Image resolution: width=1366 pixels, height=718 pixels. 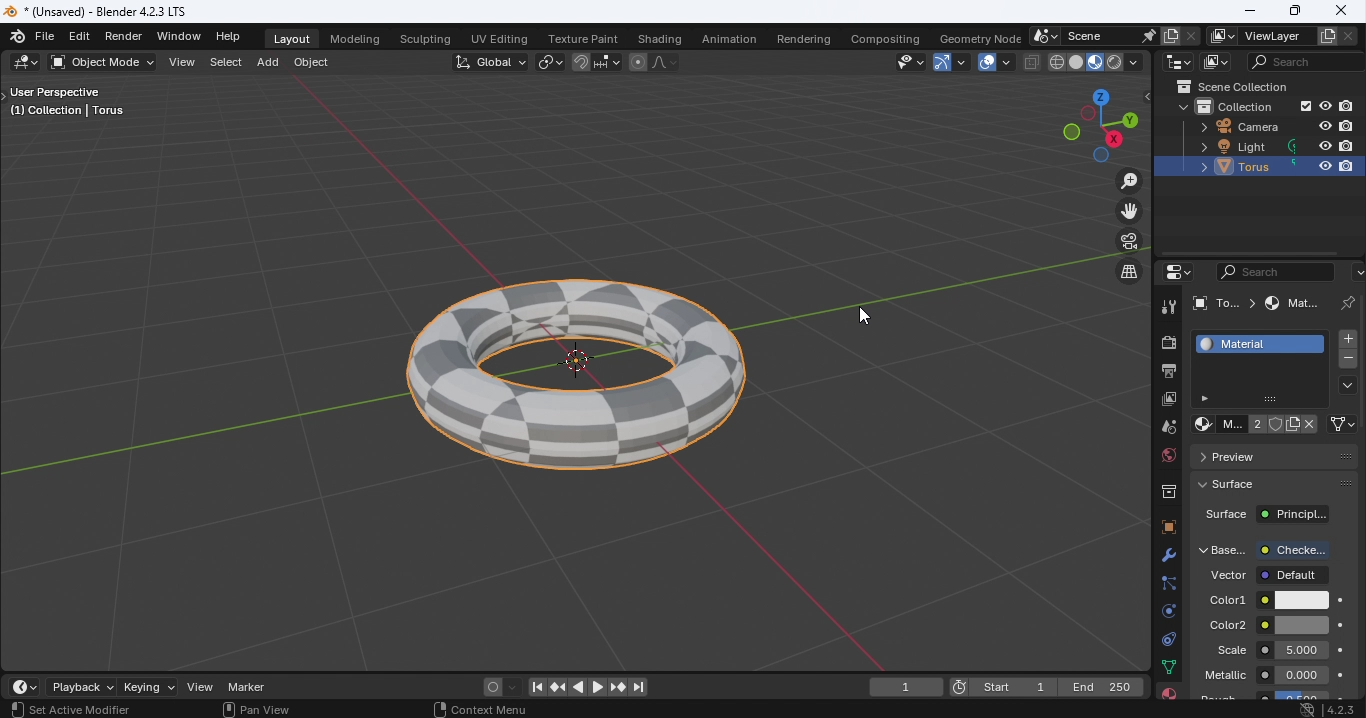 What do you see at coordinates (1226, 87) in the screenshot?
I see `Scene collection` at bounding box center [1226, 87].